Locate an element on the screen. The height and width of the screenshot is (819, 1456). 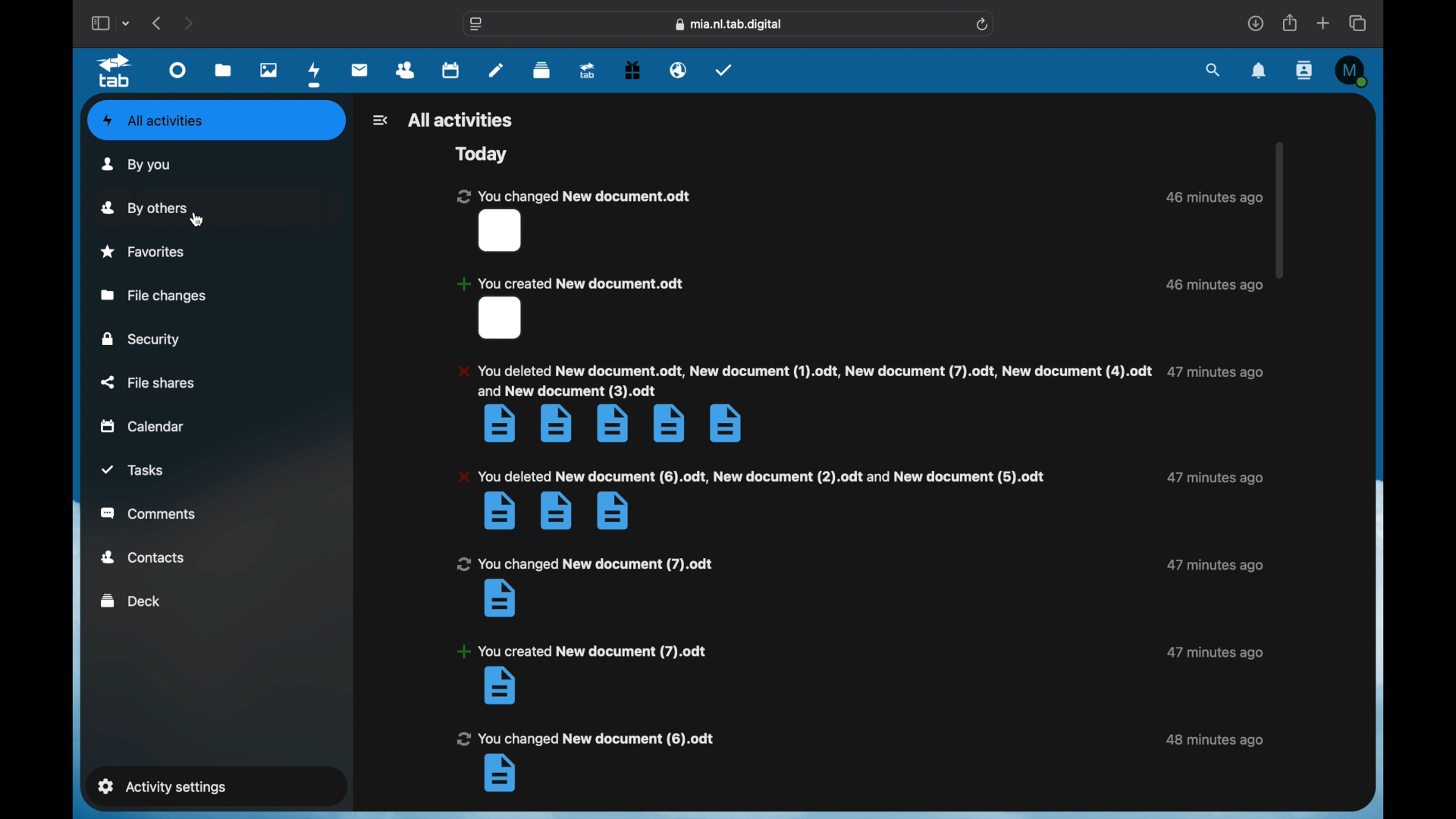
calendar is located at coordinates (450, 71).